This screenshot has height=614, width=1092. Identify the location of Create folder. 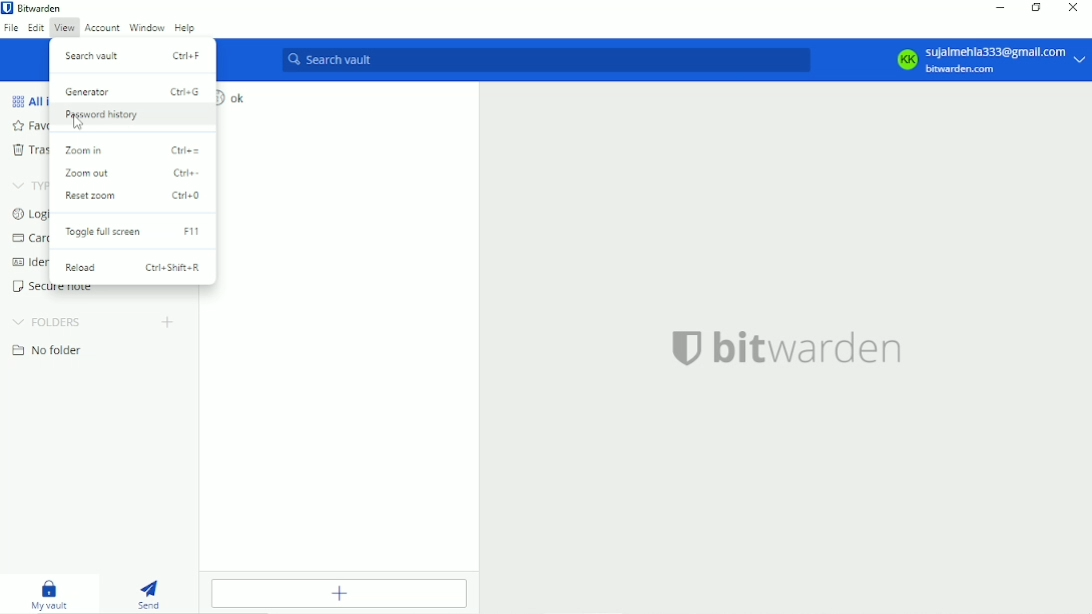
(167, 322).